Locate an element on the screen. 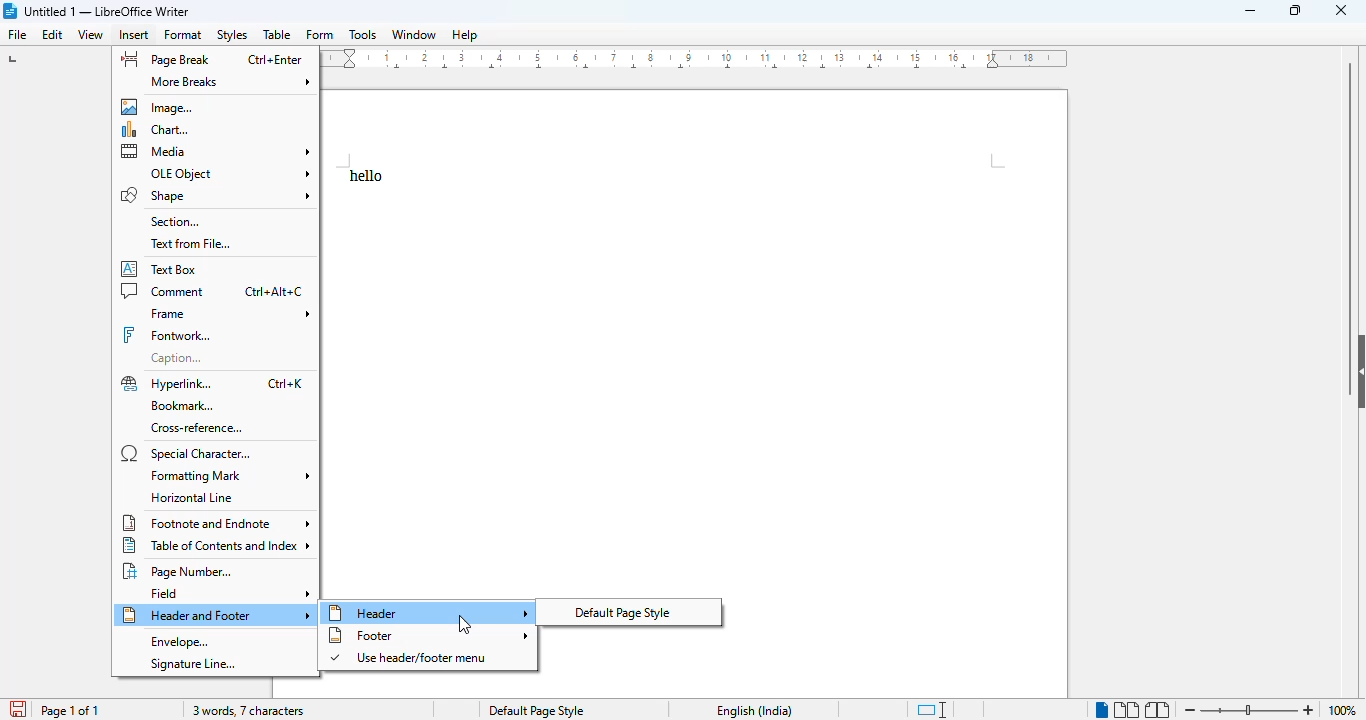 This screenshot has height=720, width=1366. default page style is located at coordinates (621, 614).